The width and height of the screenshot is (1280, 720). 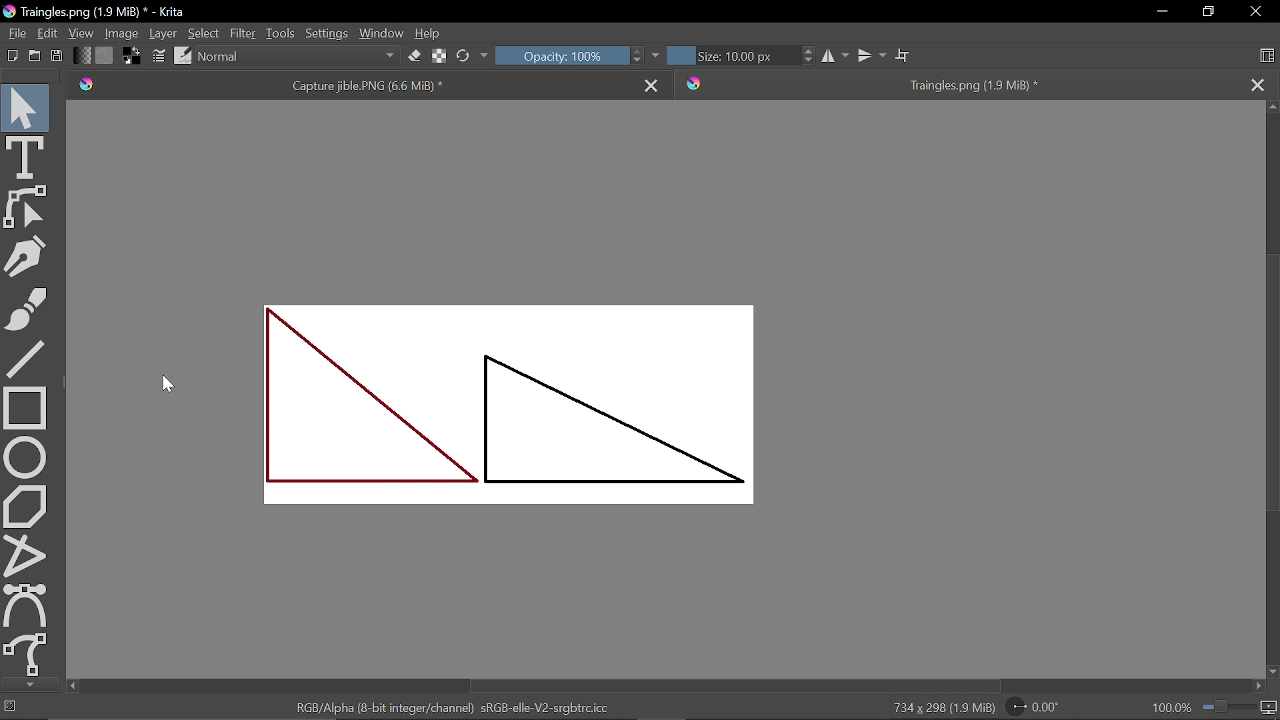 What do you see at coordinates (29, 207) in the screenshot?
I see `Edit shapes tool` at bounding box center [29, 207].